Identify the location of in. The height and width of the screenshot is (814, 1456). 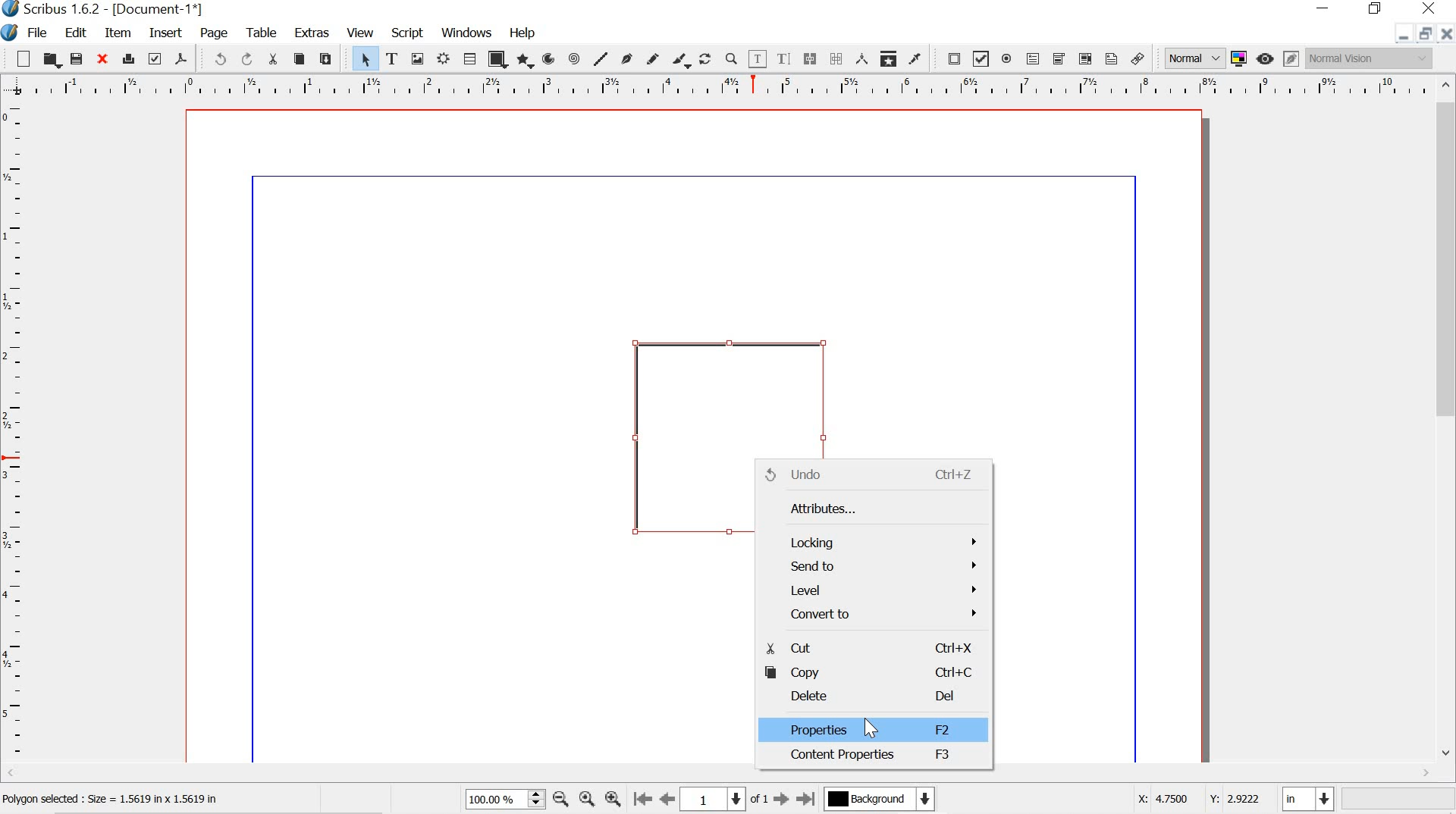
(1309, 799).